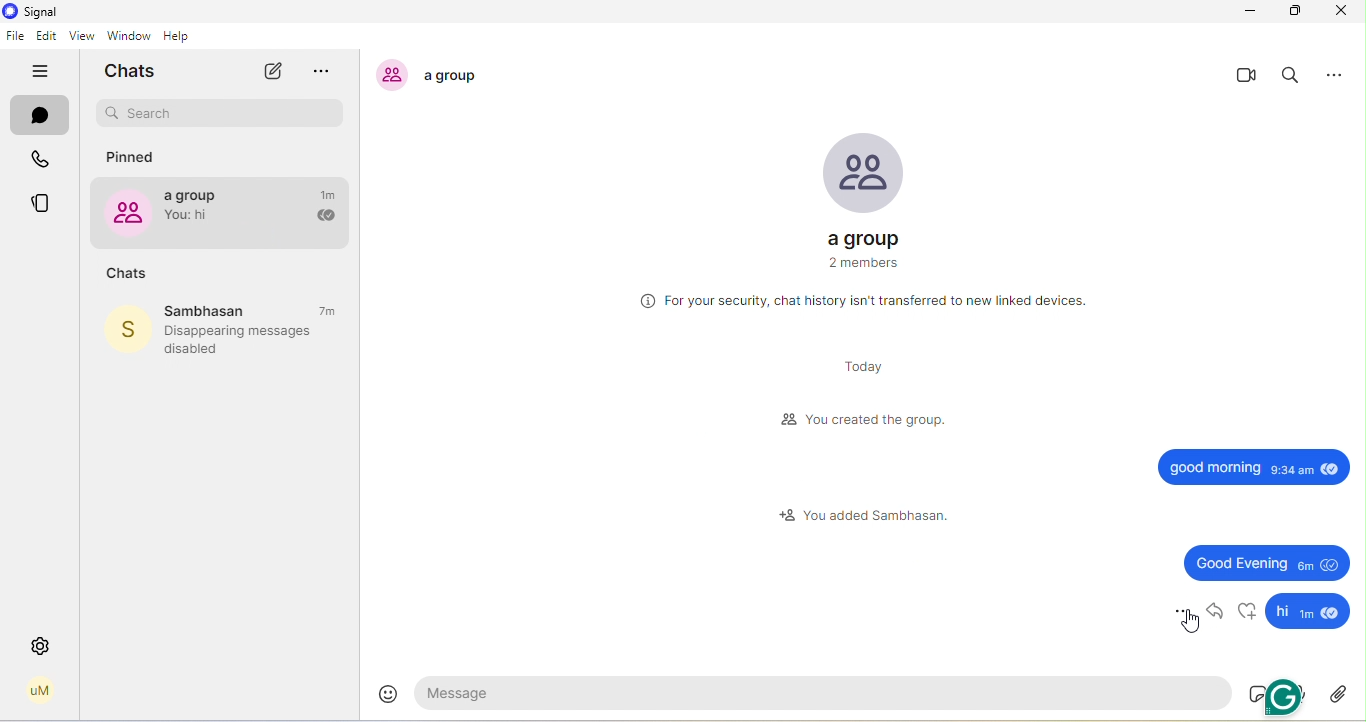  I want to click on window, so click(128, 36).